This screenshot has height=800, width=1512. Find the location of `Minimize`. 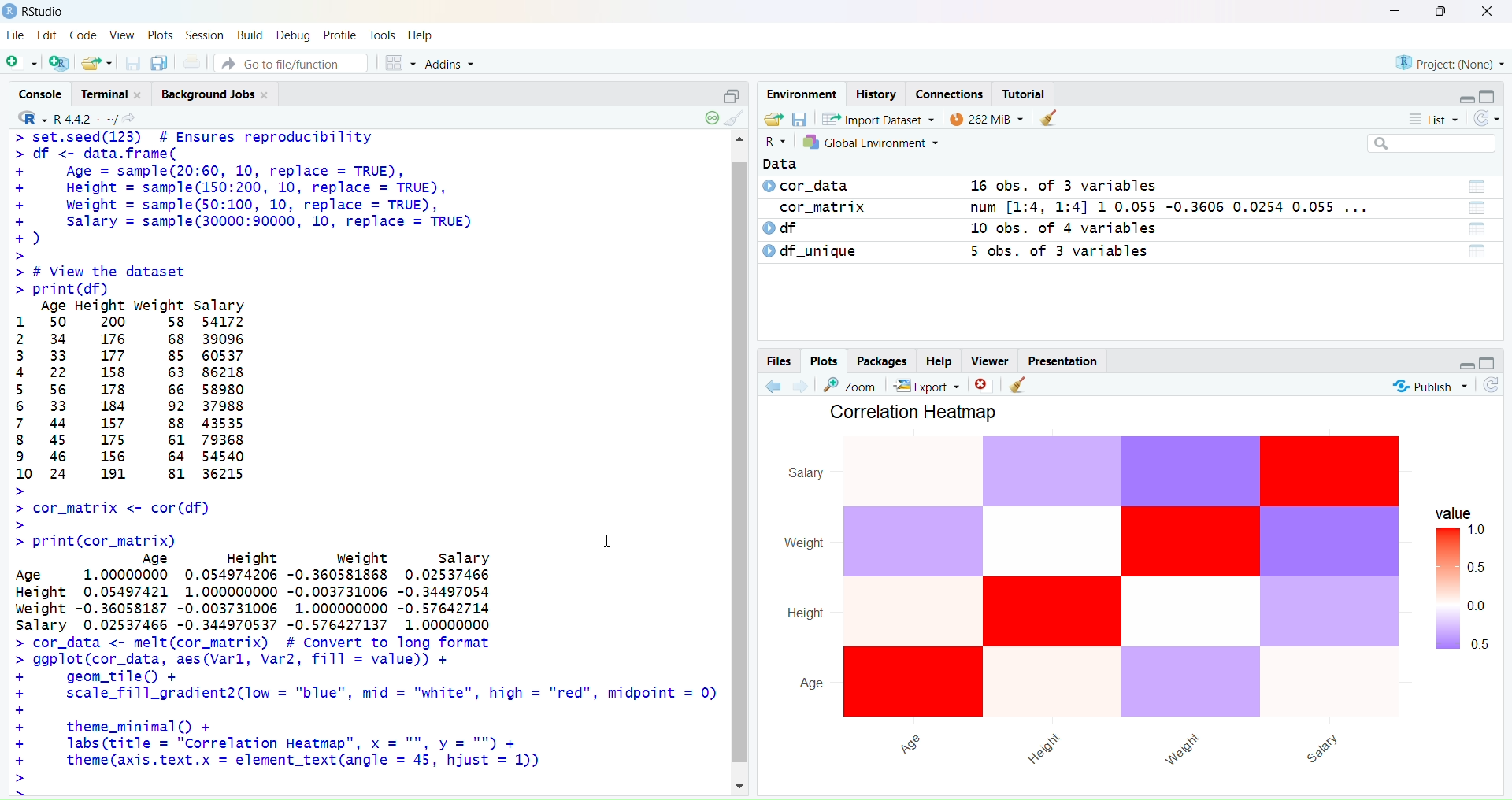

Minimize is located at coordinates (1466, 365).